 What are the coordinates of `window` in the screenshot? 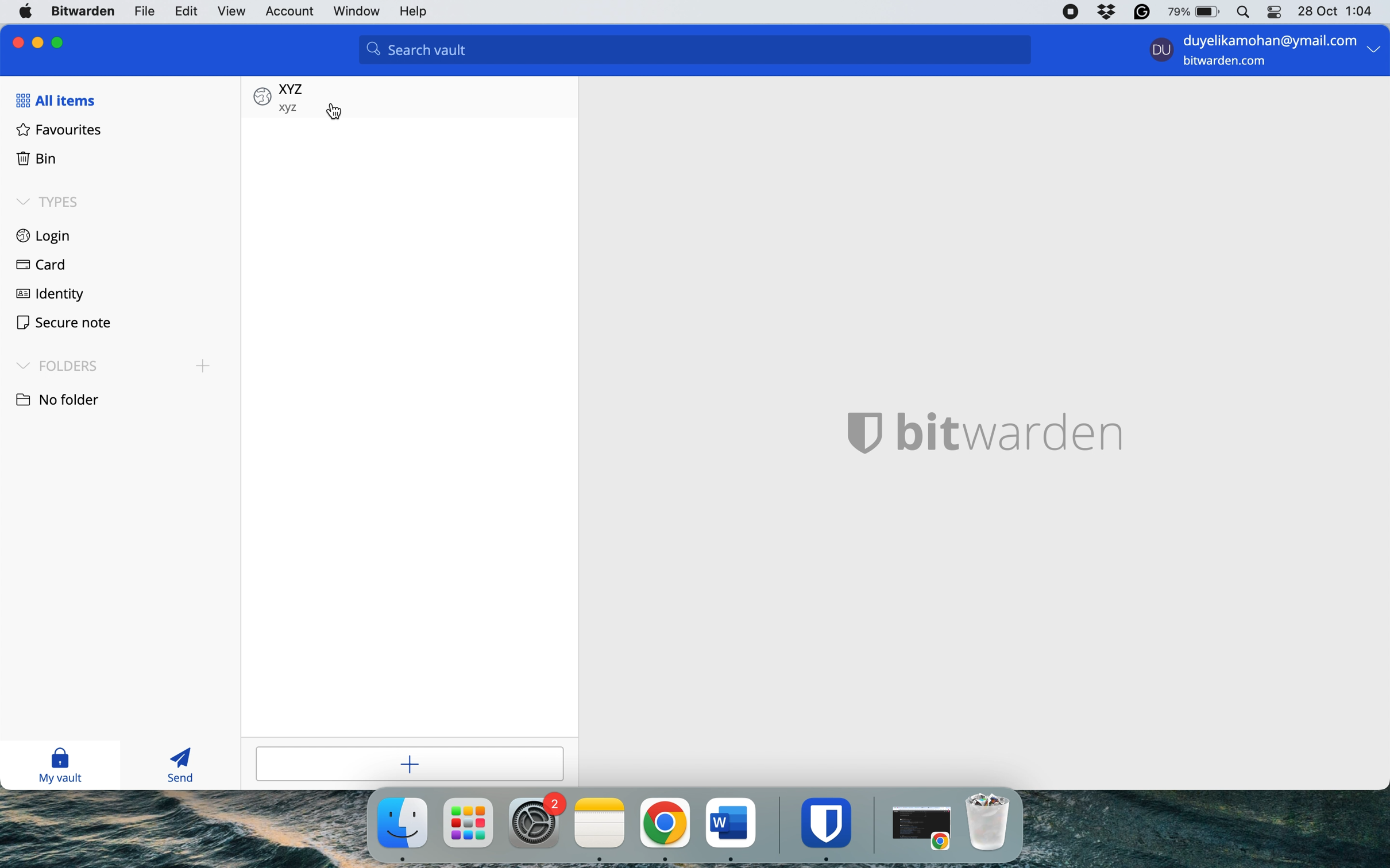 It's located at (358, 12).